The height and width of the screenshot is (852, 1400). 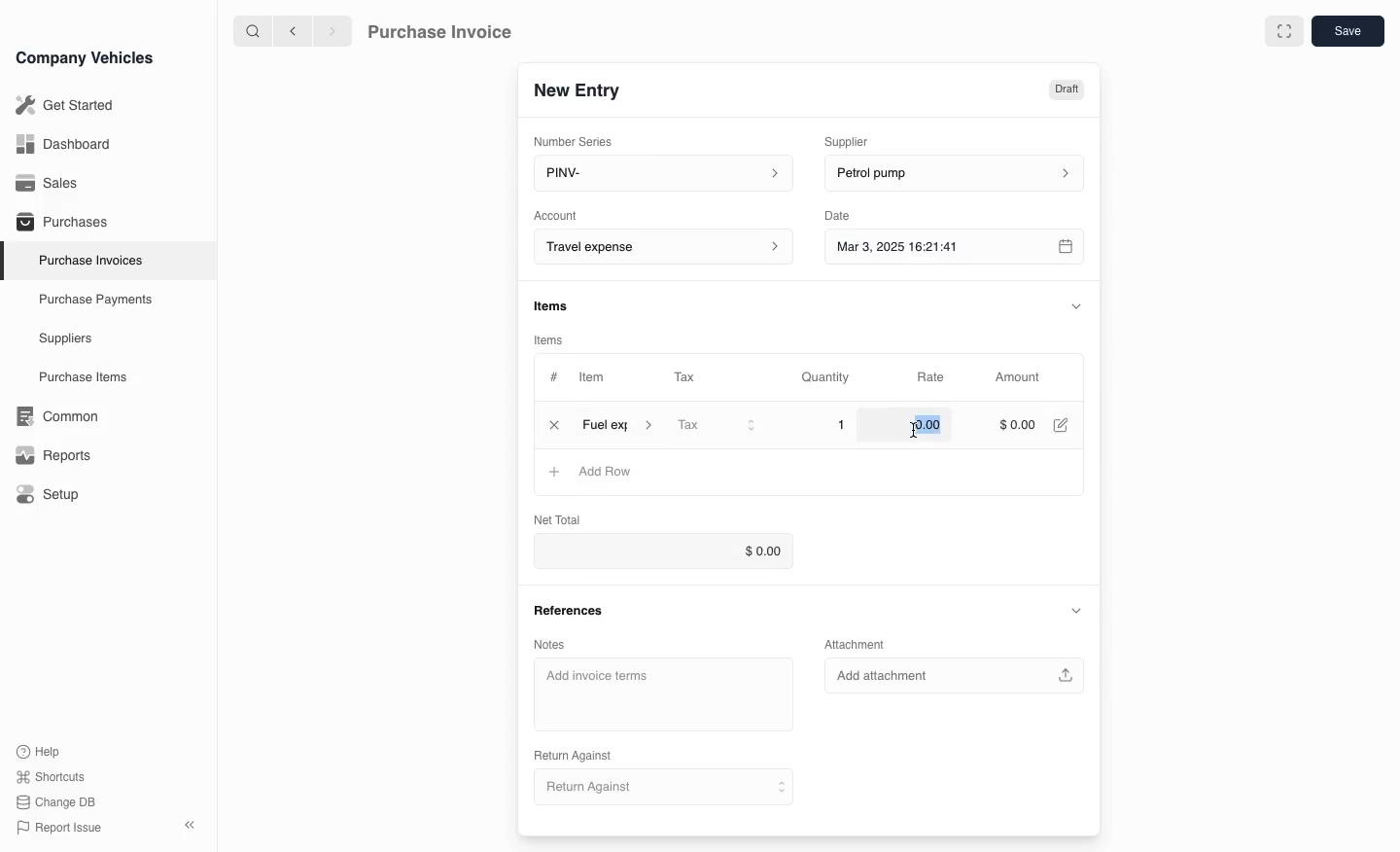 What do you see at coordinates (838, 216) in the screenshot?
I see `Date` at bounding box center [838, 216].